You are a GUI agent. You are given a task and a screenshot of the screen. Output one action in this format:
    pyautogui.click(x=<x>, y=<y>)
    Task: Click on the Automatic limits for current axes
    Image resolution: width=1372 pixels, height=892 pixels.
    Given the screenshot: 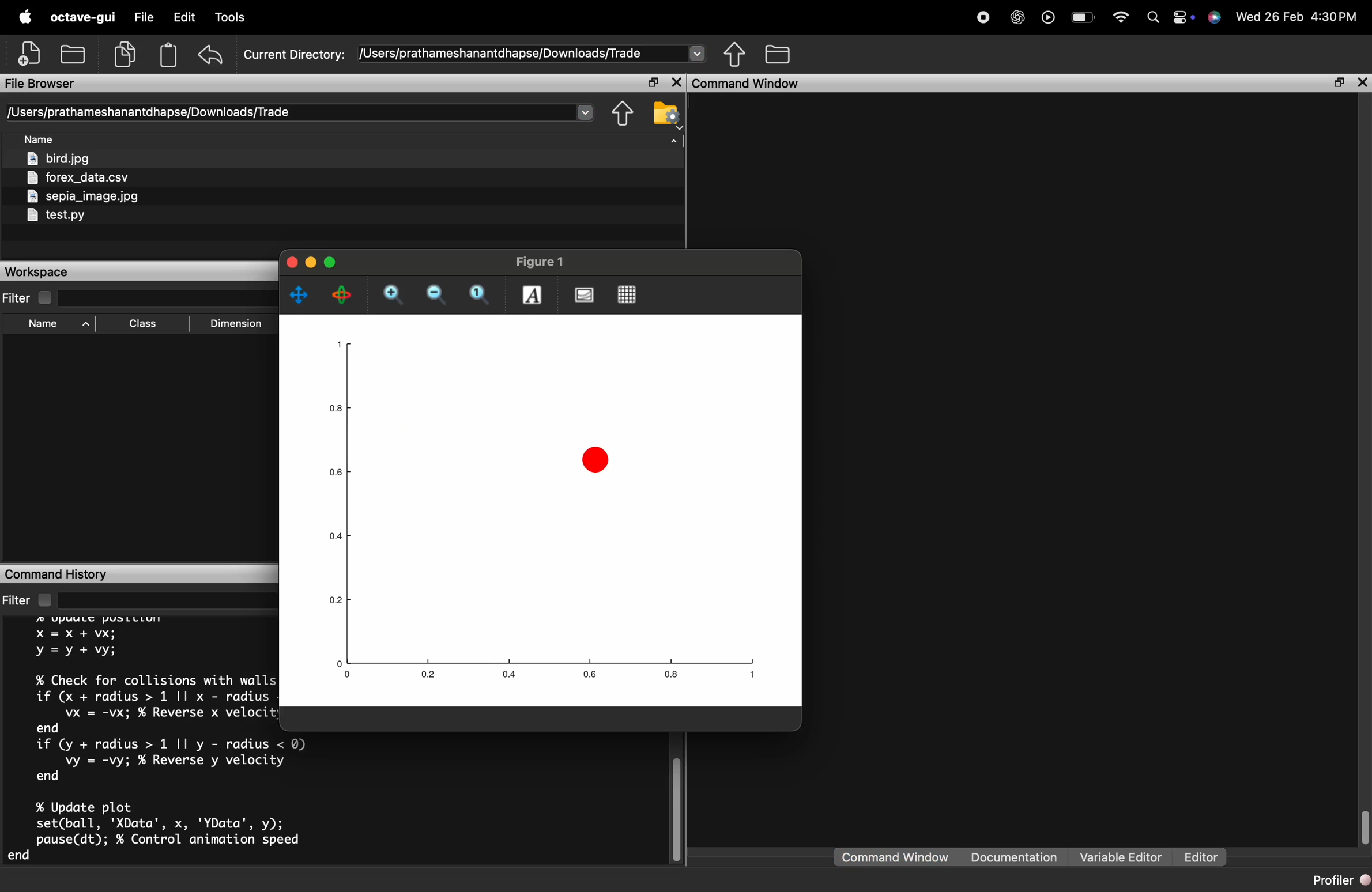 What is the action you would take?
    pyautogui.click(x=480, y=295)
    